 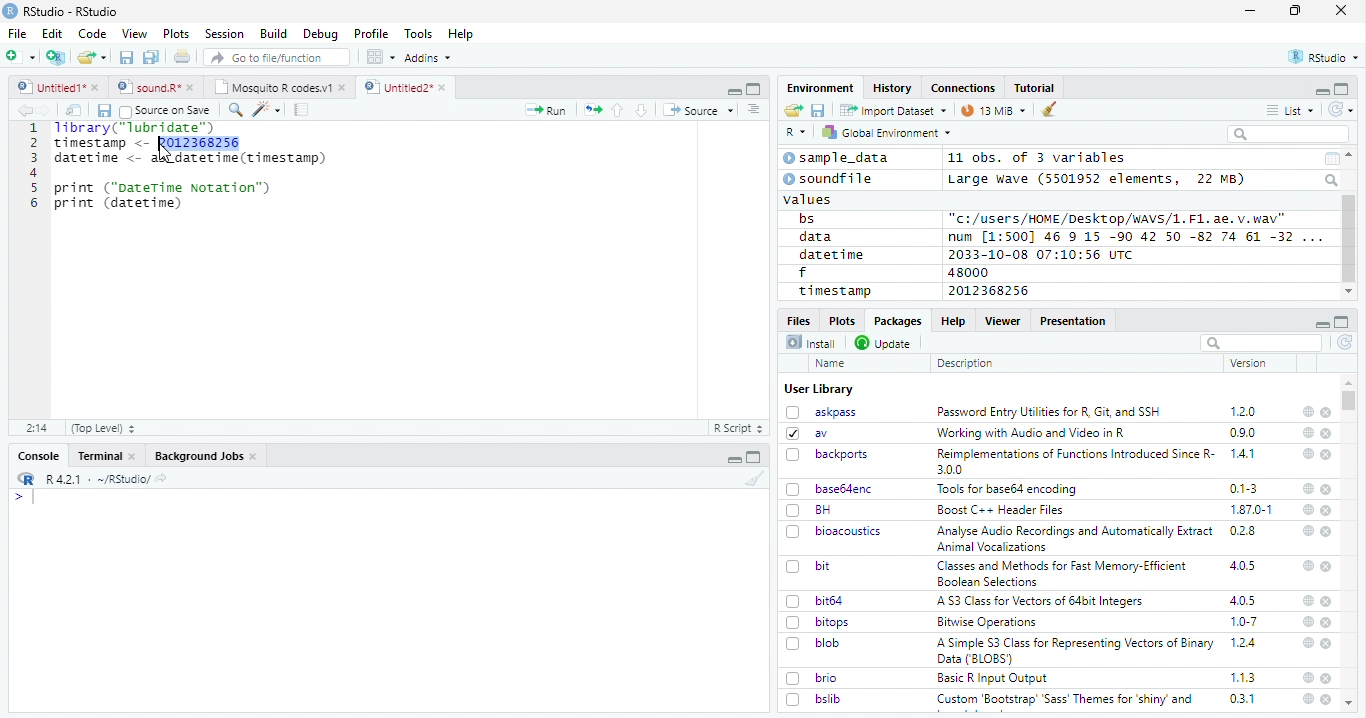 What do you see at coordinates (1327, 566) in the screenshot?
I see `close` at bounding box center [1327, 566].